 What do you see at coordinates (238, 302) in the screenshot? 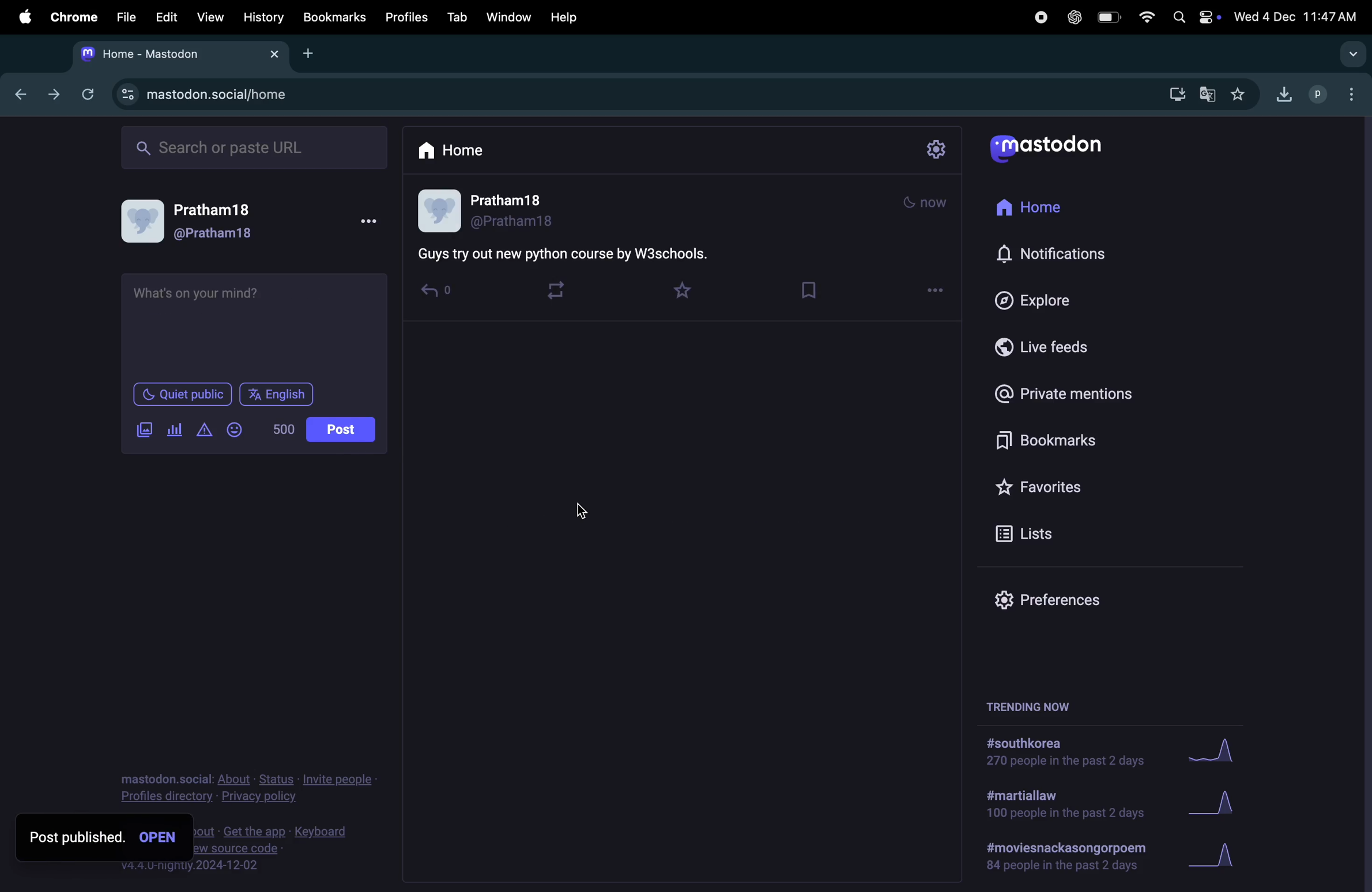
I see `course reccomendation` at bounding box center [238, 302].